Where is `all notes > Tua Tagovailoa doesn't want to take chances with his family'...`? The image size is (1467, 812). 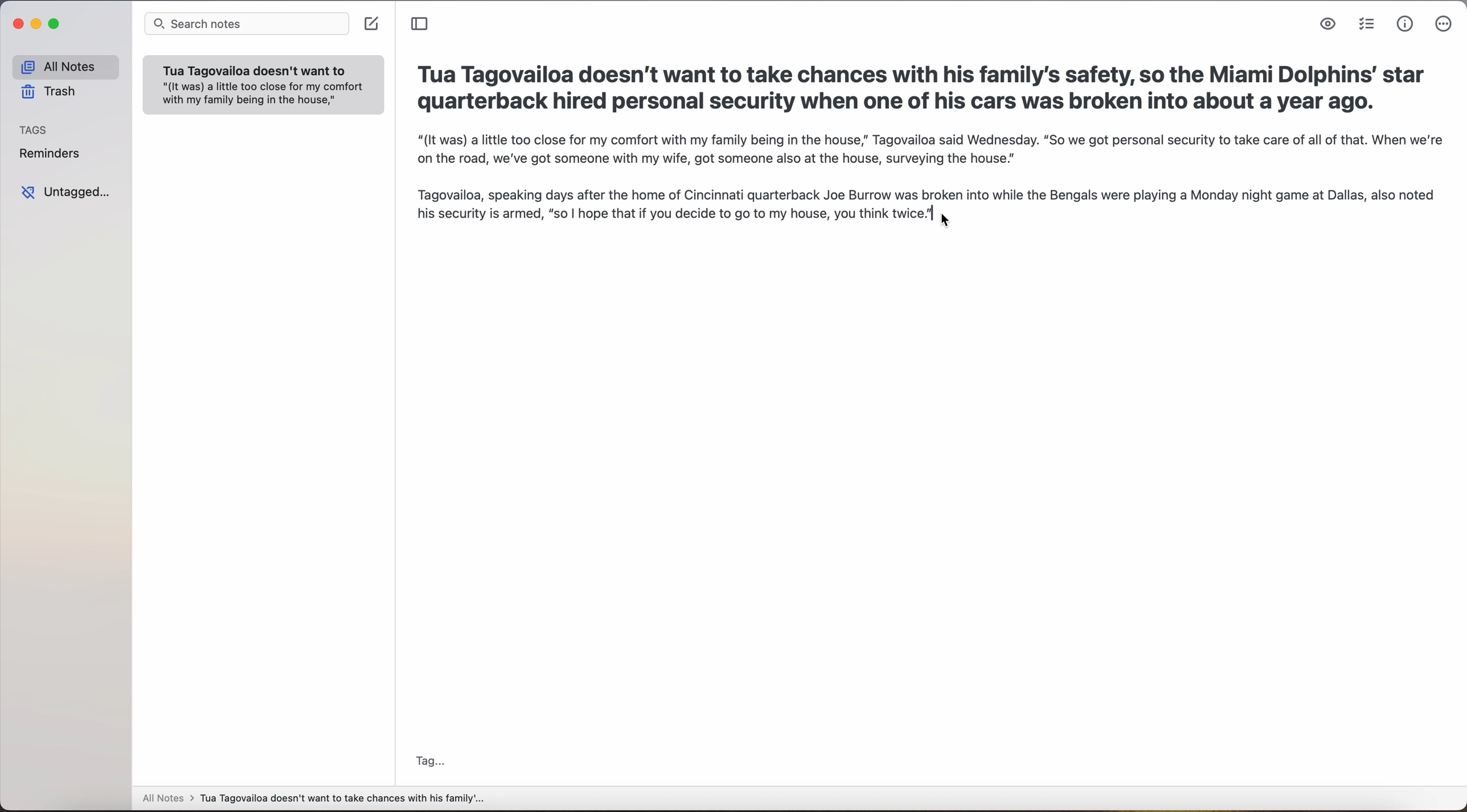
all notes > Tua Tagovailoa doesn't want to take chances with his family'... is located at coordinates (313, 799).